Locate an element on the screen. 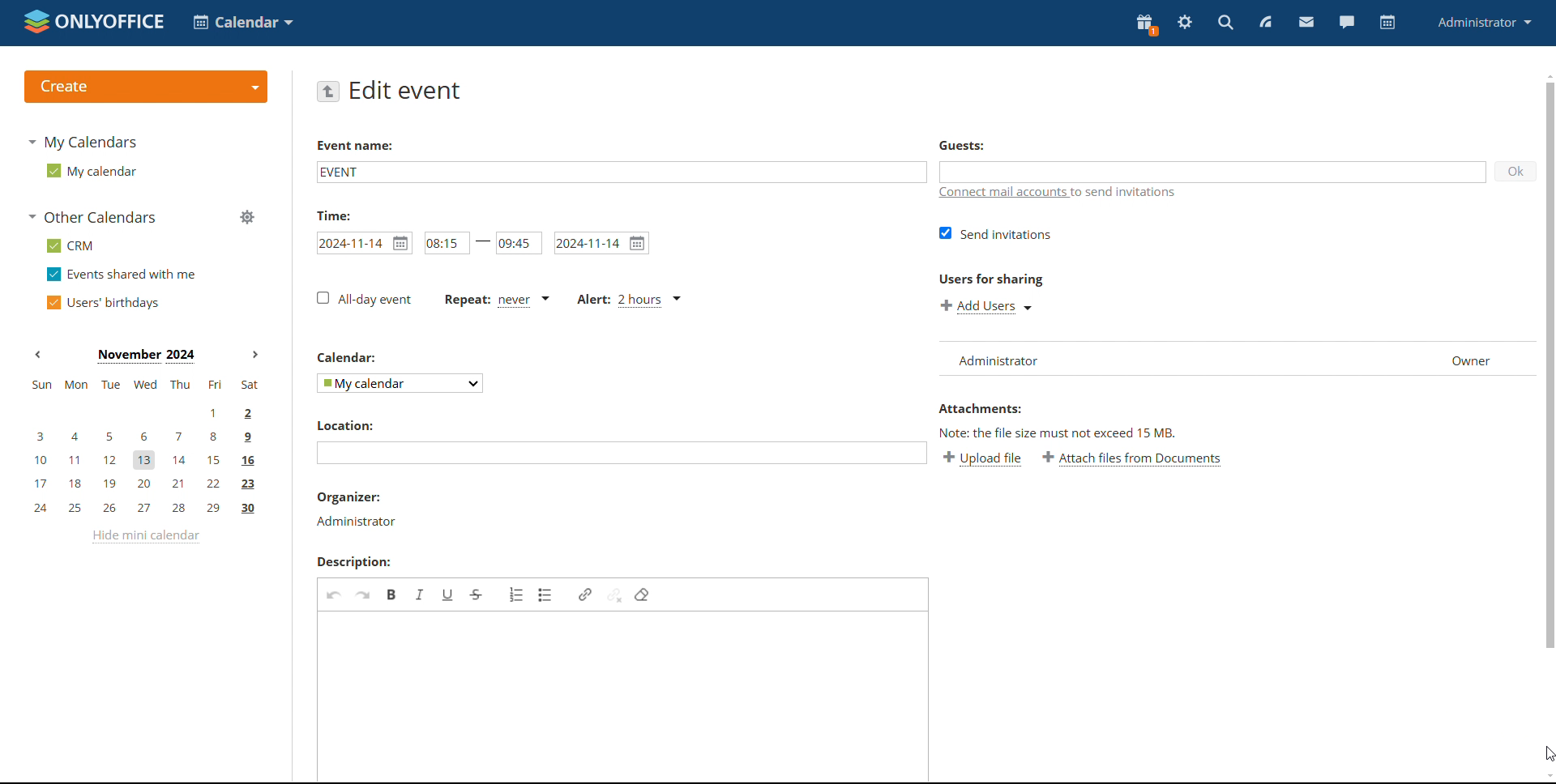  scroll up is located at coordinates (1546, 75).